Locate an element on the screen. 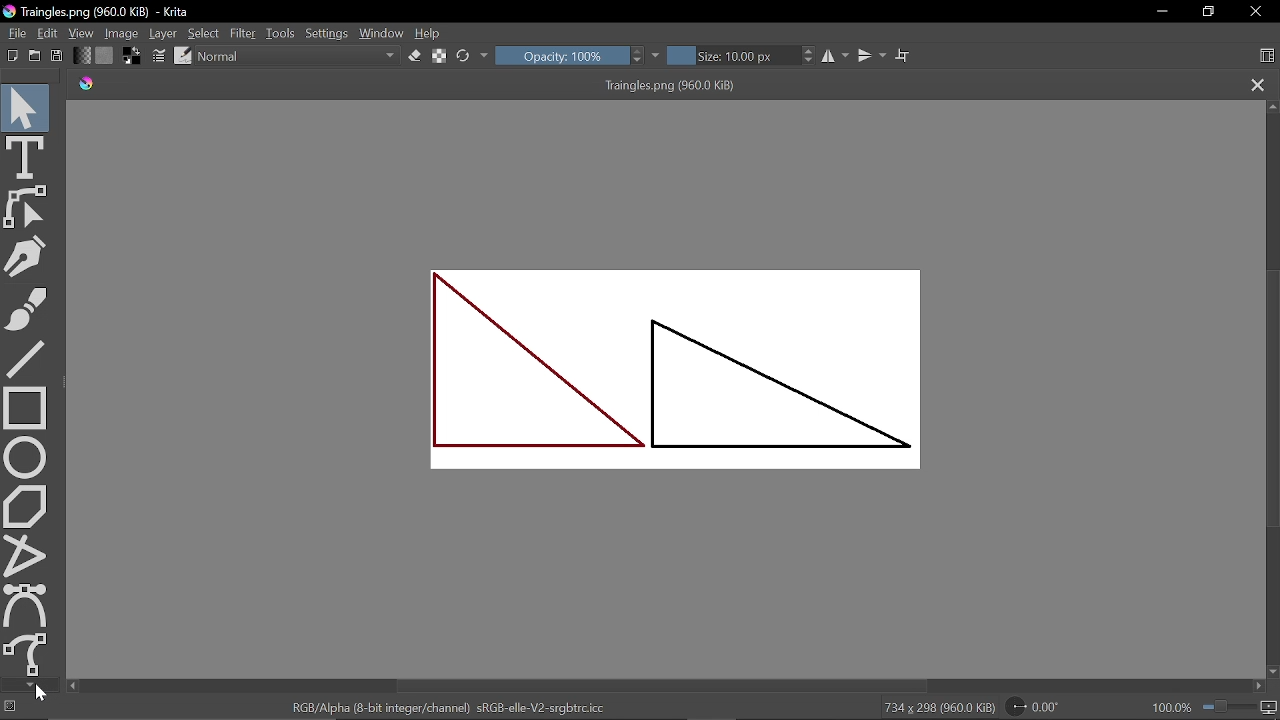  Polyline tool is located at coordinates (26, 556).